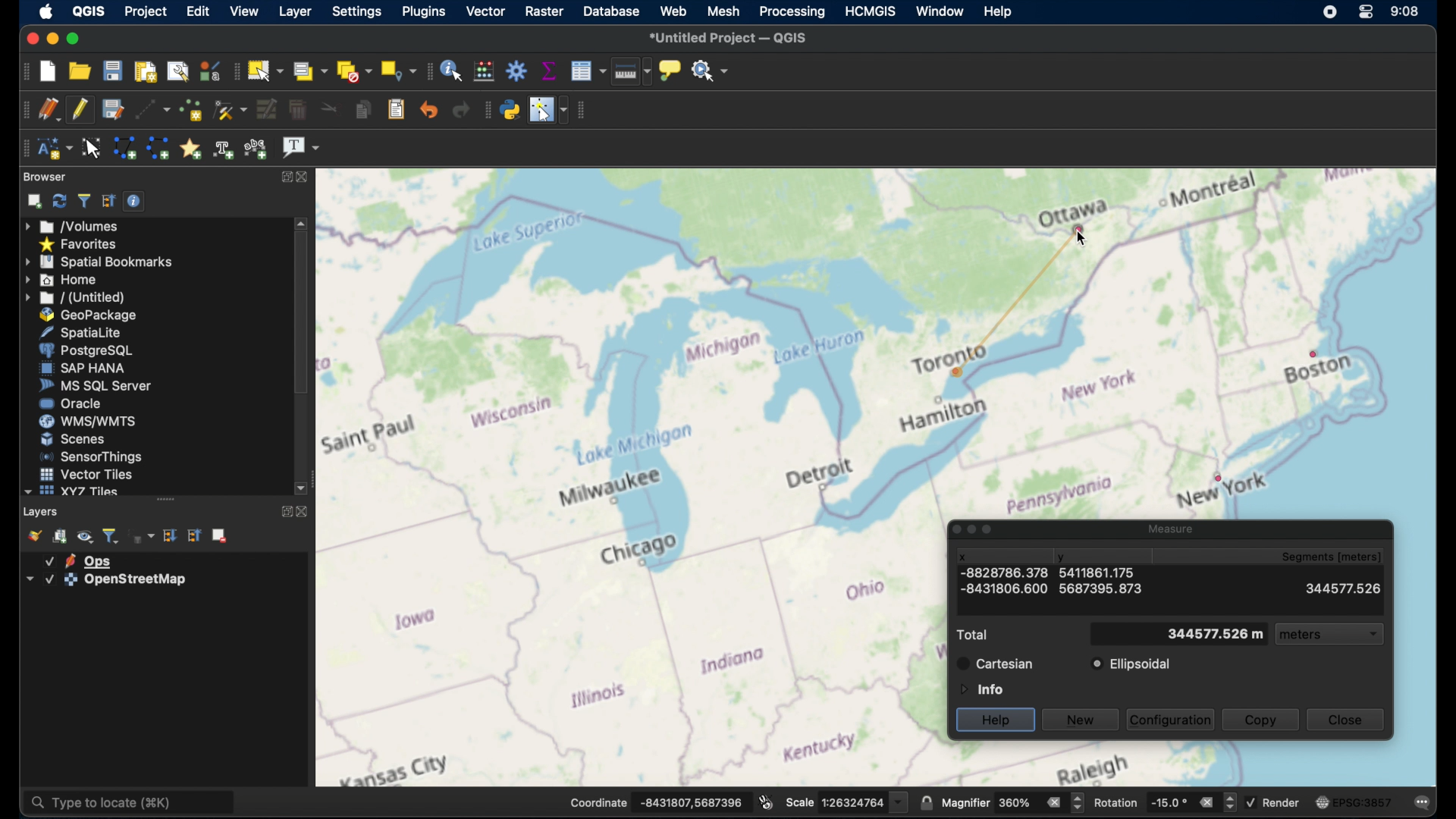 The image size is (1456, 819). I want to click on information, so click(980, 688).